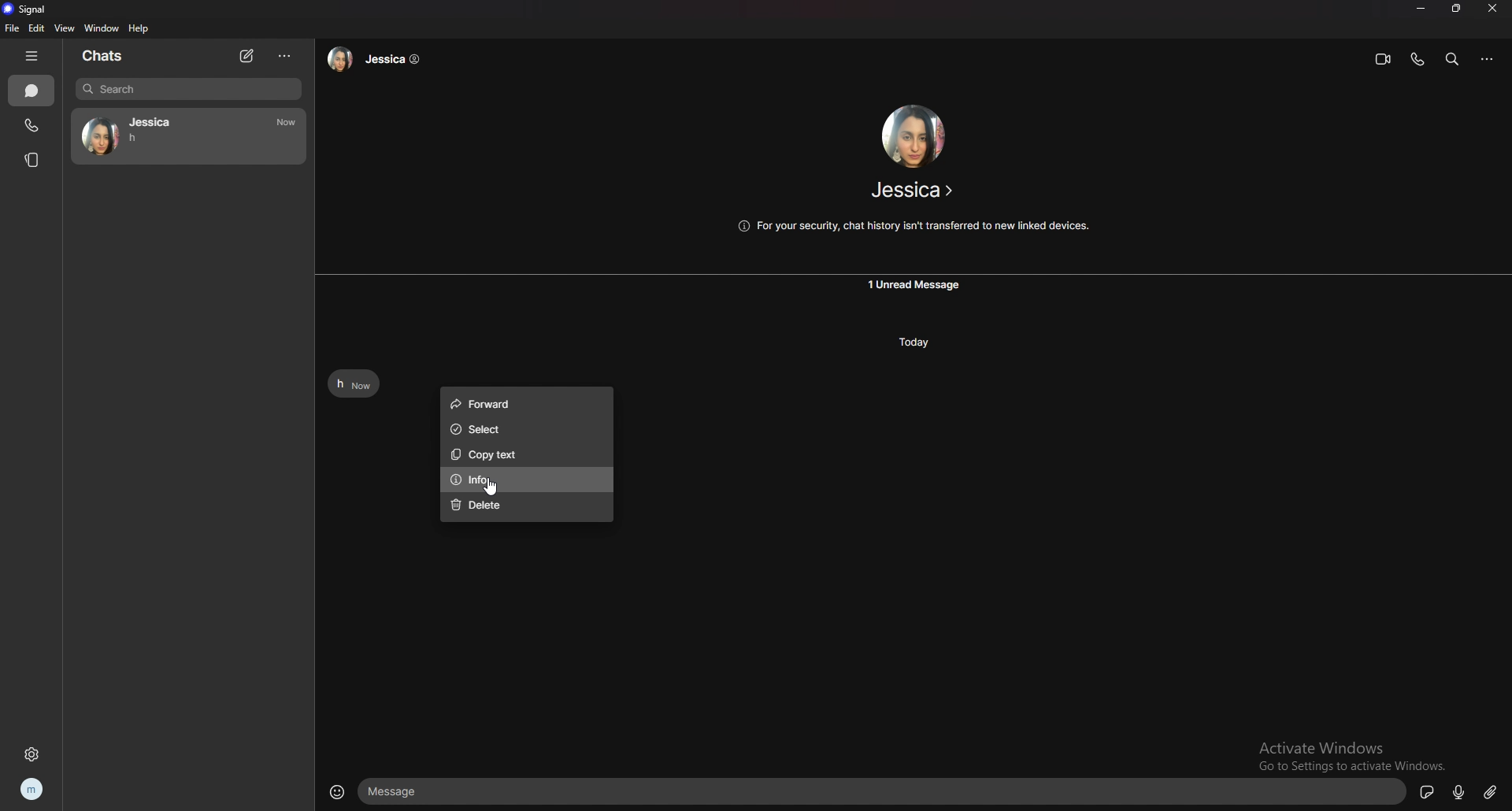 This screenshot has width=1512, height=811. I want to click on h, so click(352, 383).